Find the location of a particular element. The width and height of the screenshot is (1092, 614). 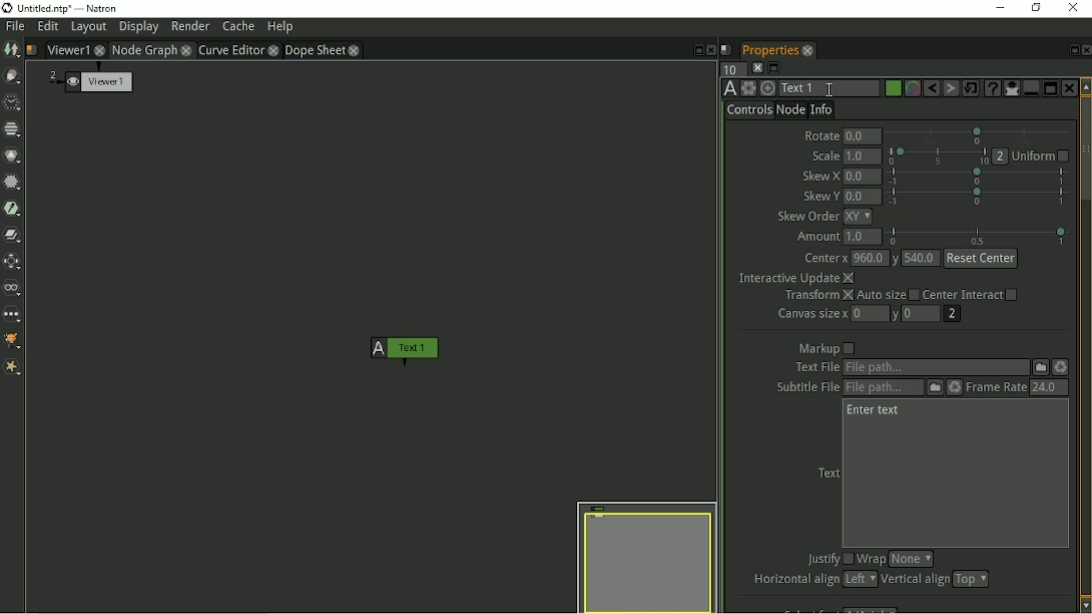

Cache is located at coordinates (238, 26).